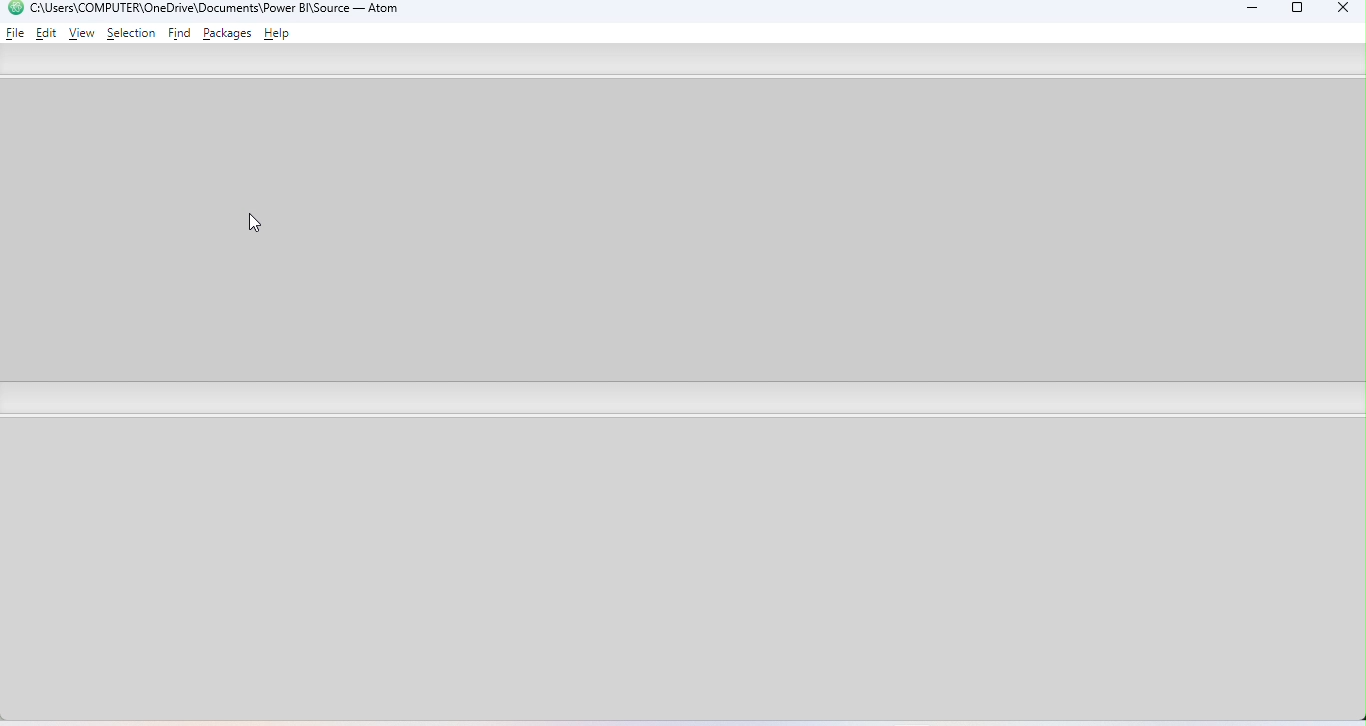 This screenshot has width=1366, height=726. What do you see at coordinates (230, 33) in the screenshot?
I see `Packages` at bounding box center [230, 33].